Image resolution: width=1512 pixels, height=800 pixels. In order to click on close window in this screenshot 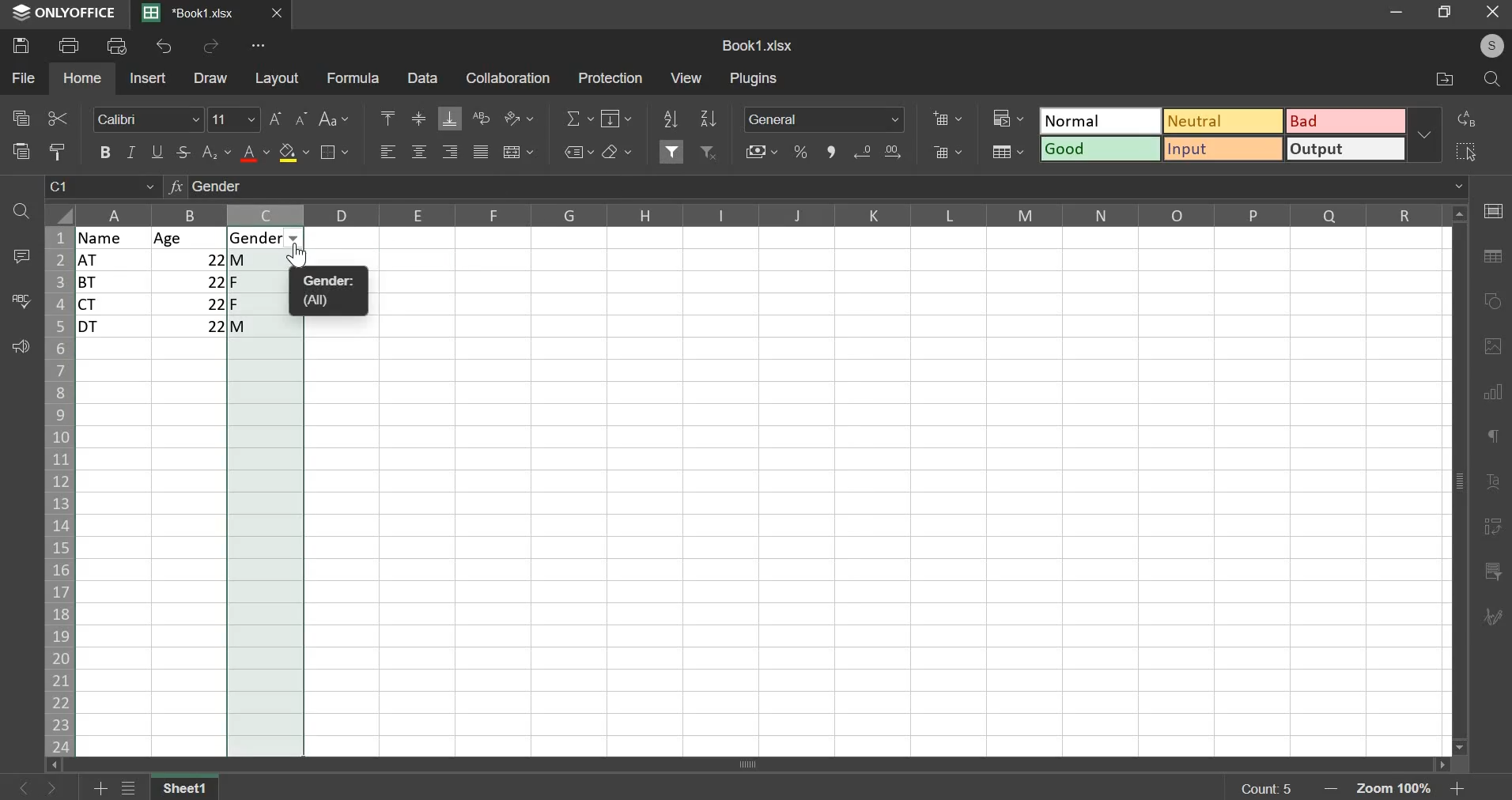, I will do `click(1491, 15)`.